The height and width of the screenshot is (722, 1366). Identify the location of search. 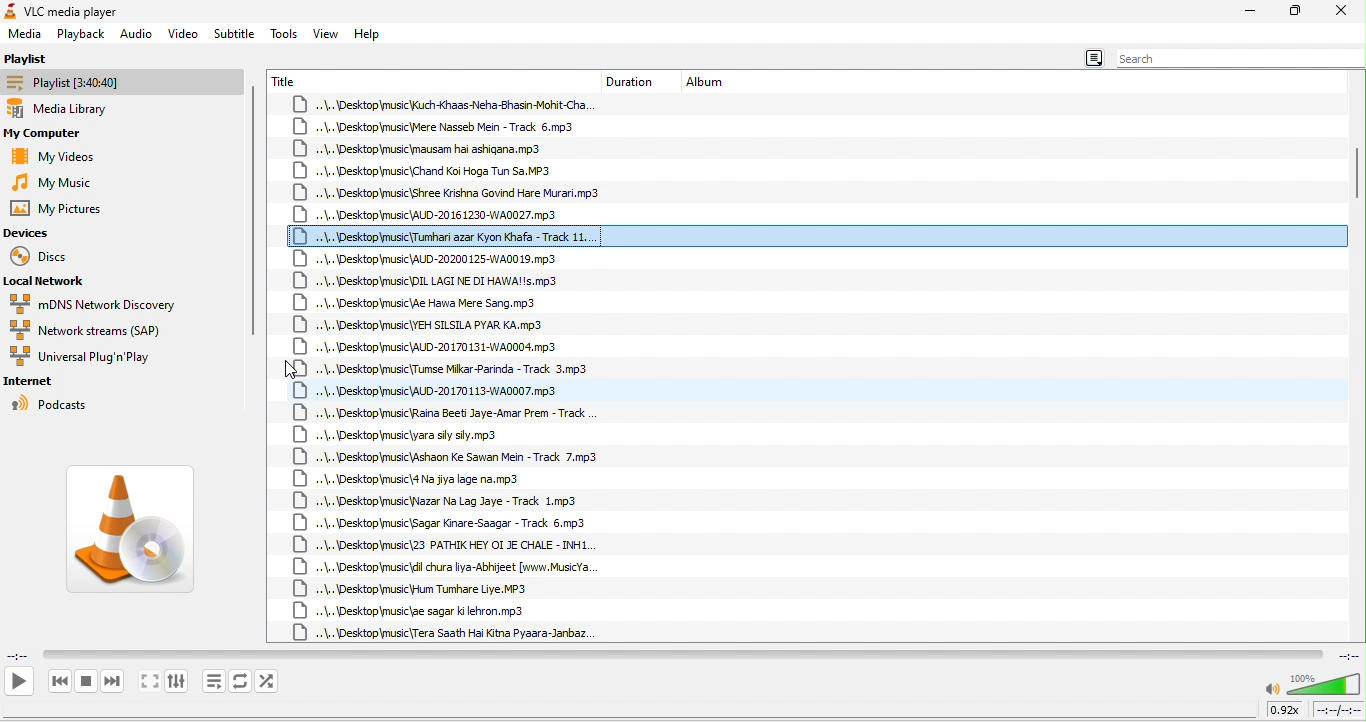
(1236, 59).